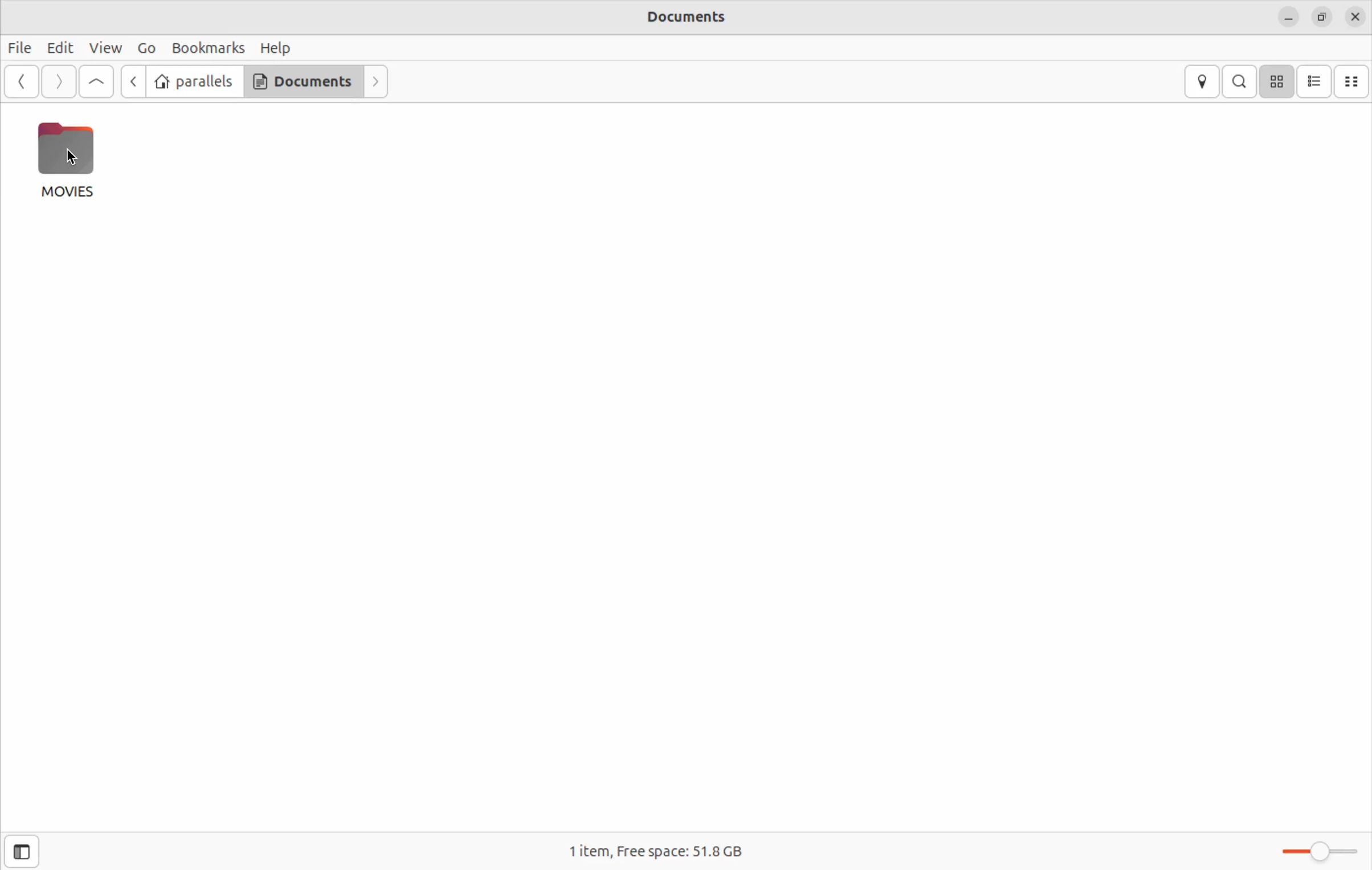 The image size is (1372, 870). Describe the element at coordinates (1324, 18) in the screenshot. I see `resize` at that location.